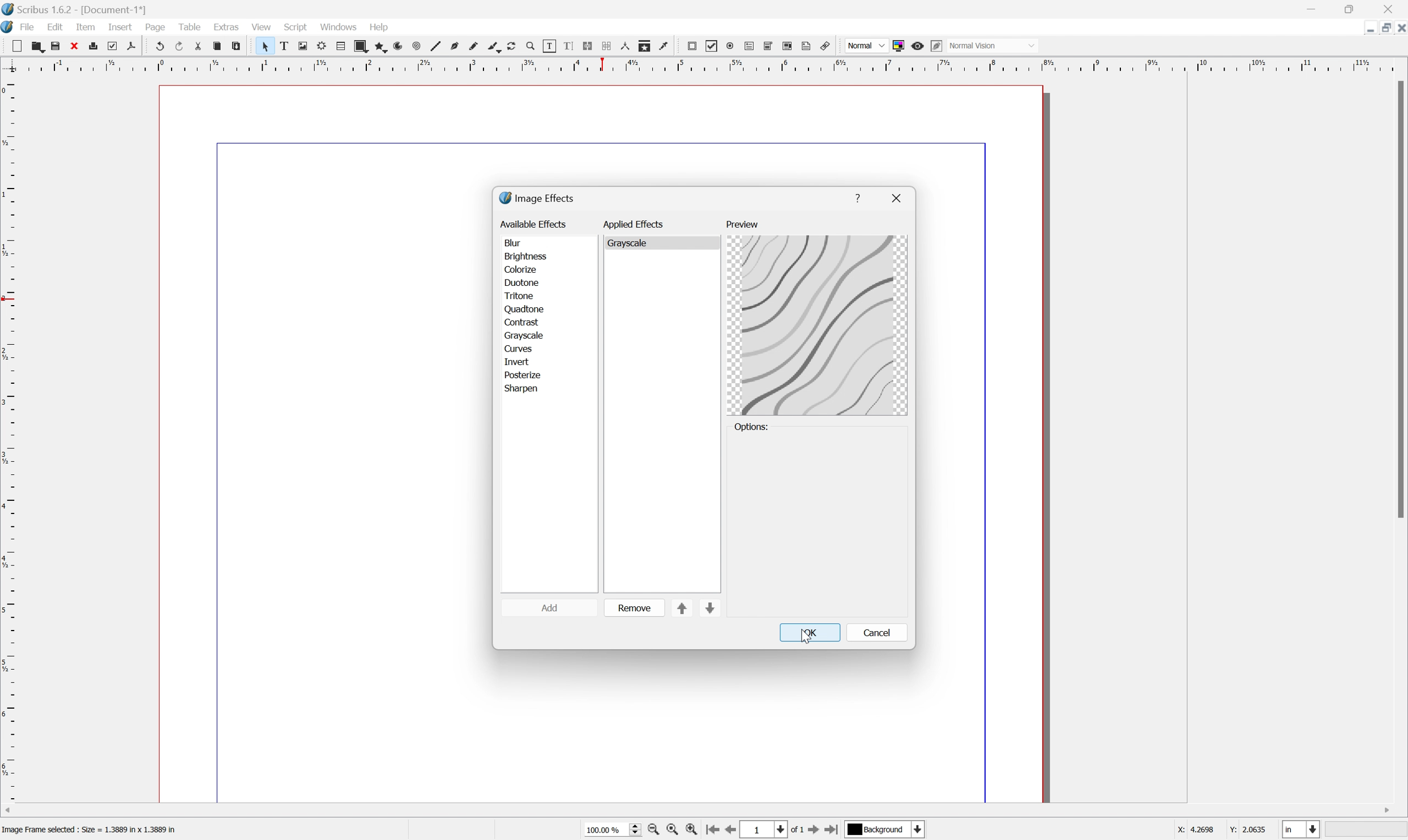 The height and width of the screenshot is (840, 1408). Describe the element at coordinates (260, 28) in the screenshot. I see `View` at that location.